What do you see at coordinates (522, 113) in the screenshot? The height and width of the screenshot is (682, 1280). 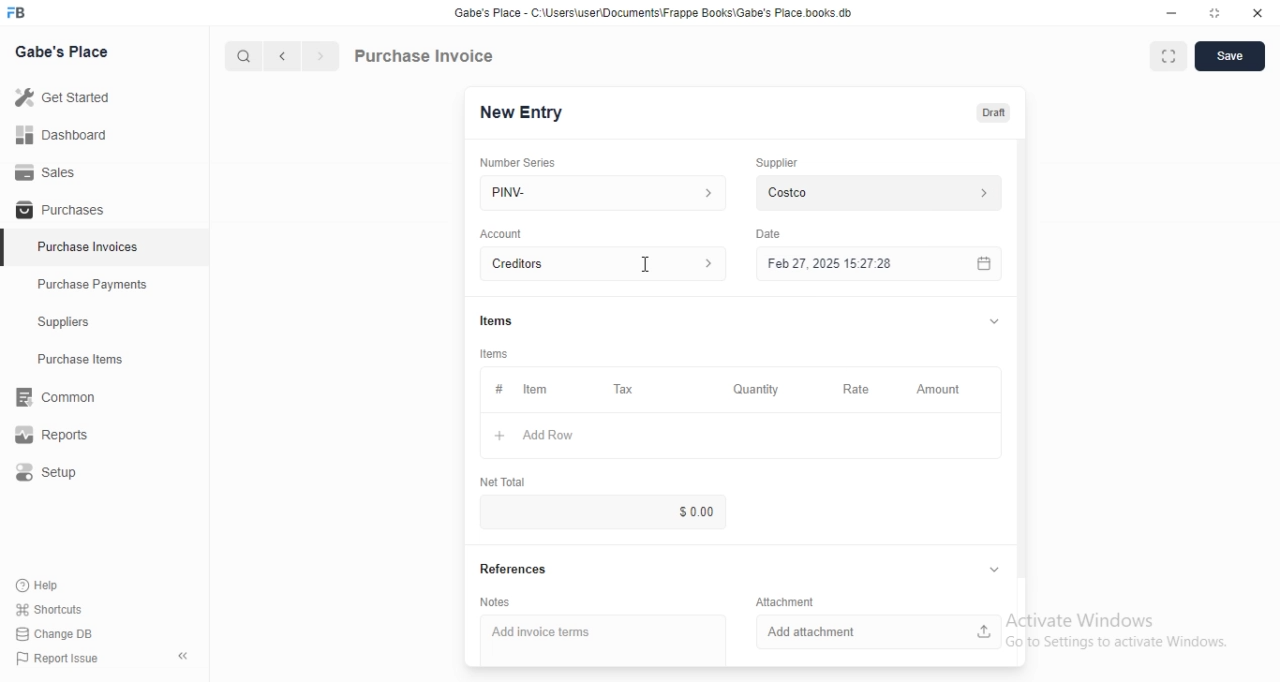 I see `New Entry` at bounding box center [522, 113].